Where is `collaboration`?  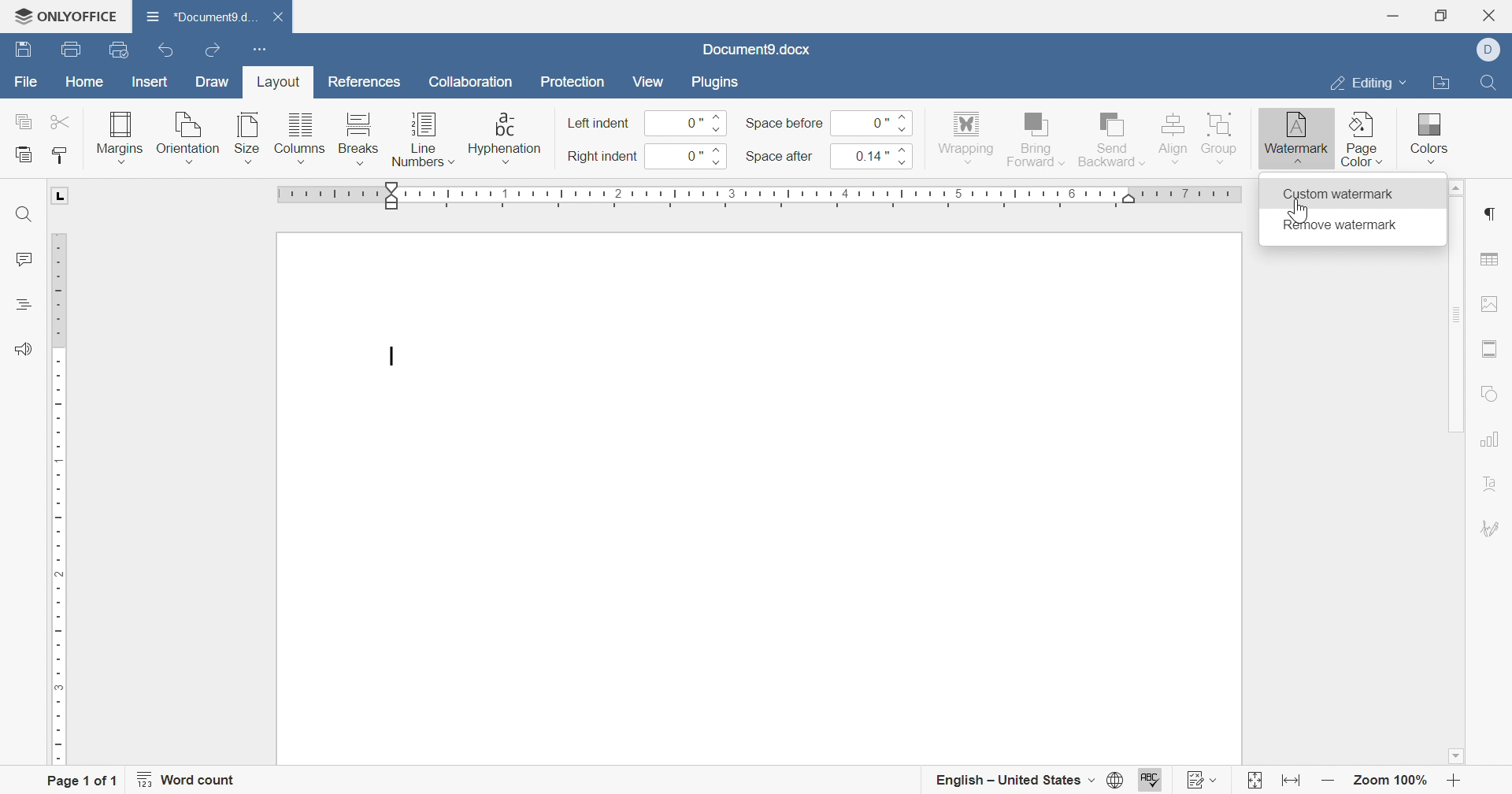
collaboration is located at coordinates (473, 86).